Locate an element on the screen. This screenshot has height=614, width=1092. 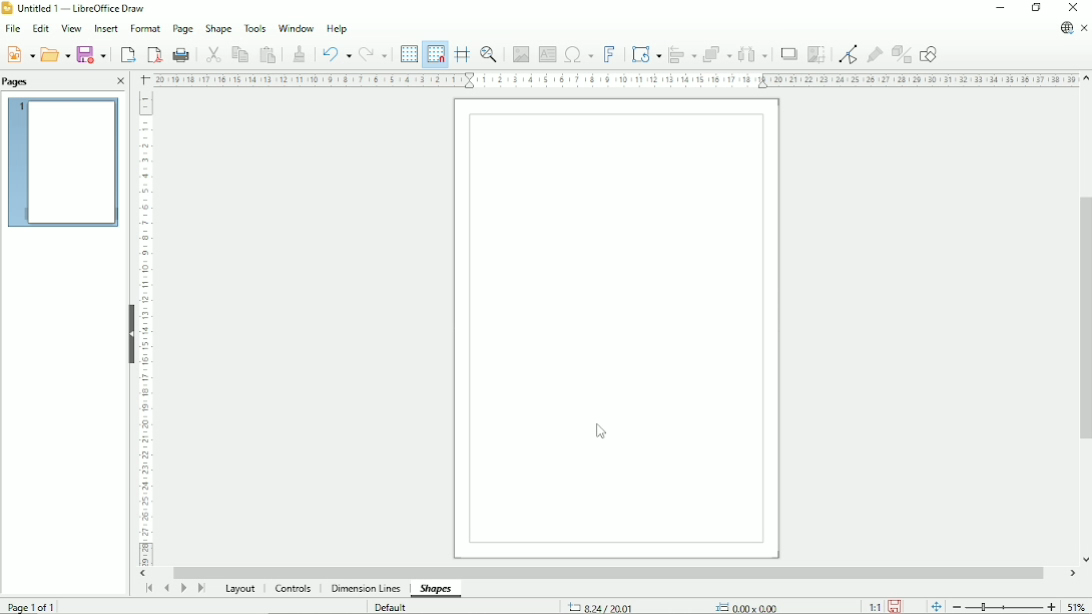
Close document is located at coordinates (1086, 29).